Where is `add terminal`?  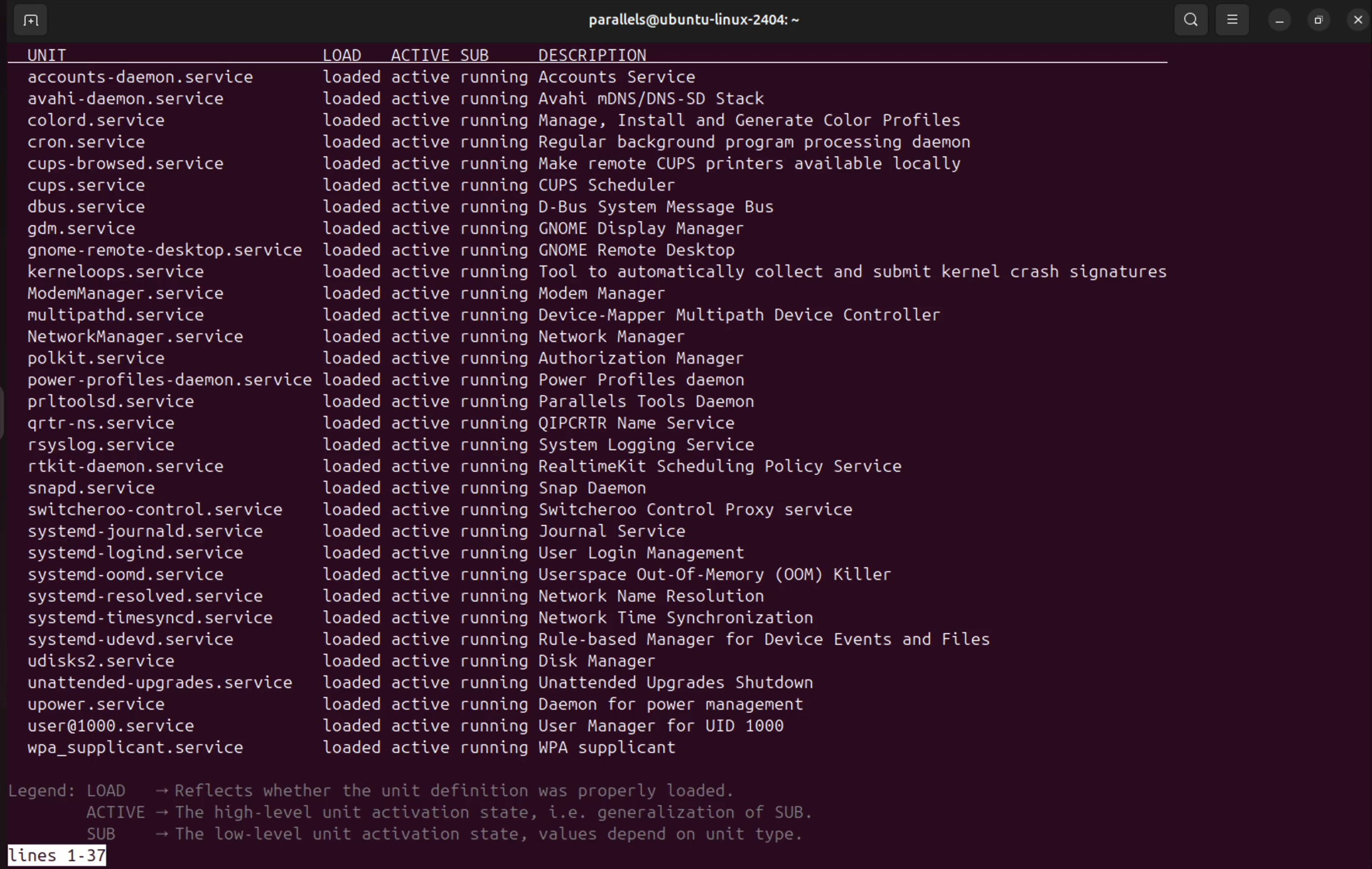
add terminal is located at coordinates (28, 22).